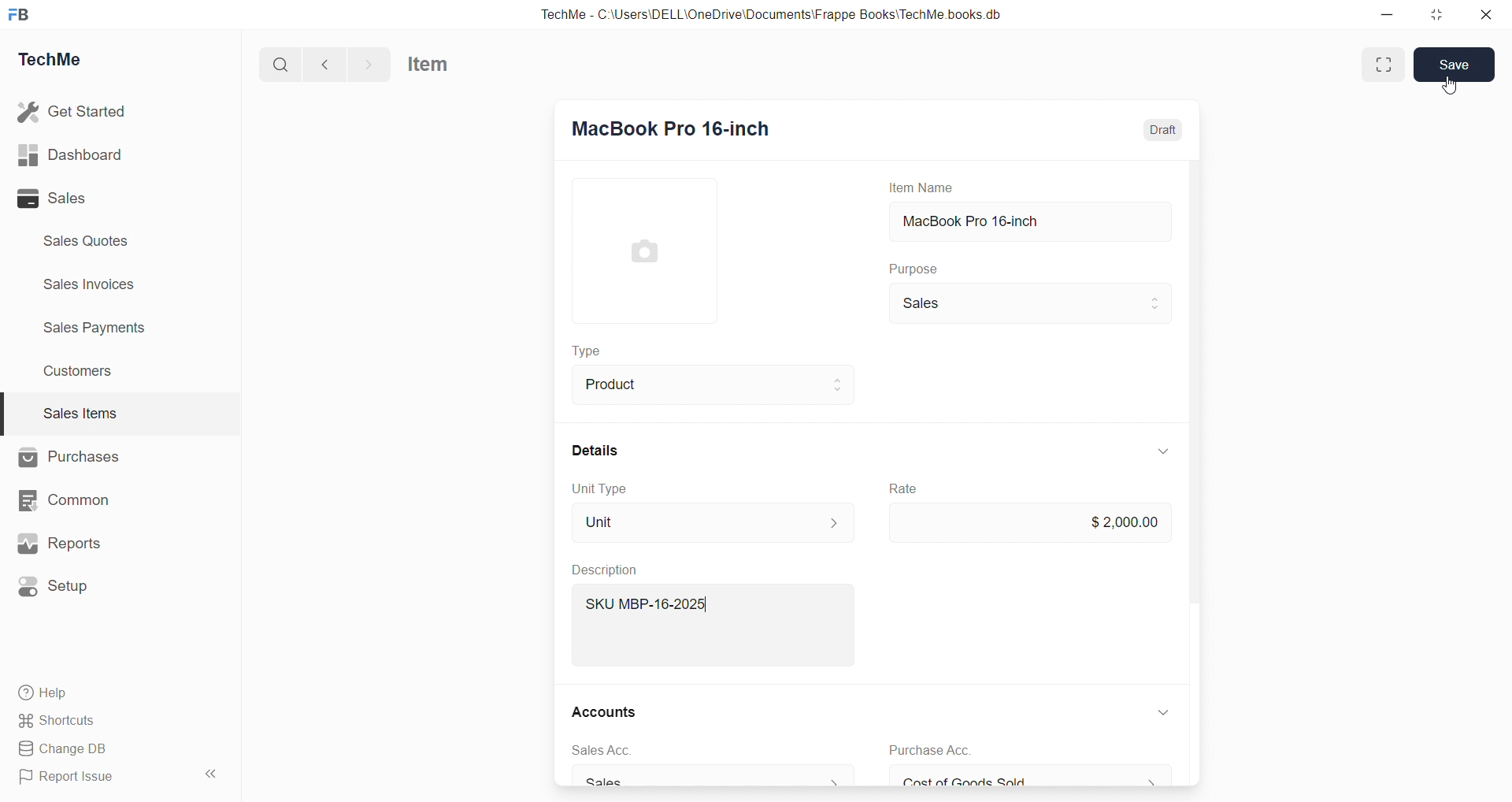 The image size is (1512, 802). What do you see at coordinates (930, 751) in the screenshot?
I see `Purchase Acc` at bounding box center [930, 751].